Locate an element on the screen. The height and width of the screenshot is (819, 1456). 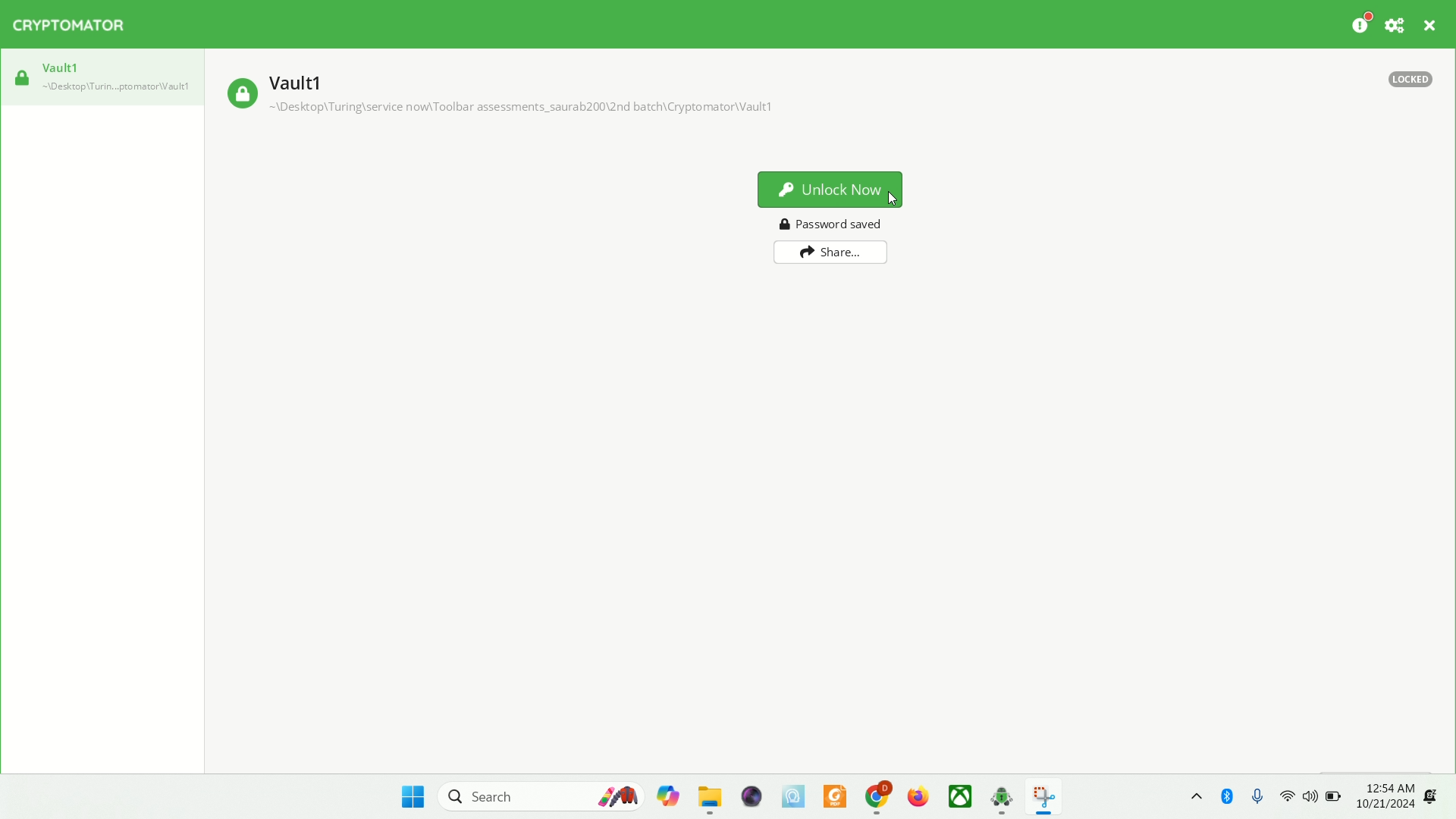
vault1 is located at coordinates (58, 69).